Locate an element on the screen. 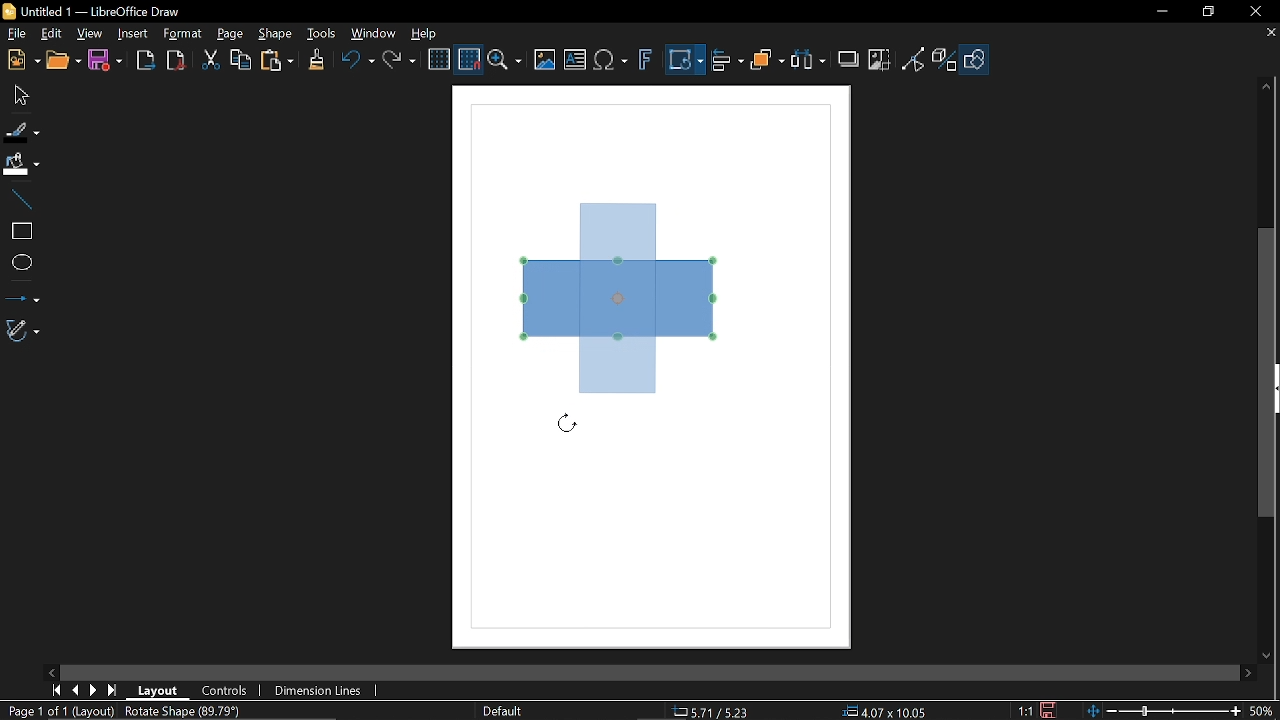 This screenshot has width=1280, height=720. Move is located at coordinates (17, 94).